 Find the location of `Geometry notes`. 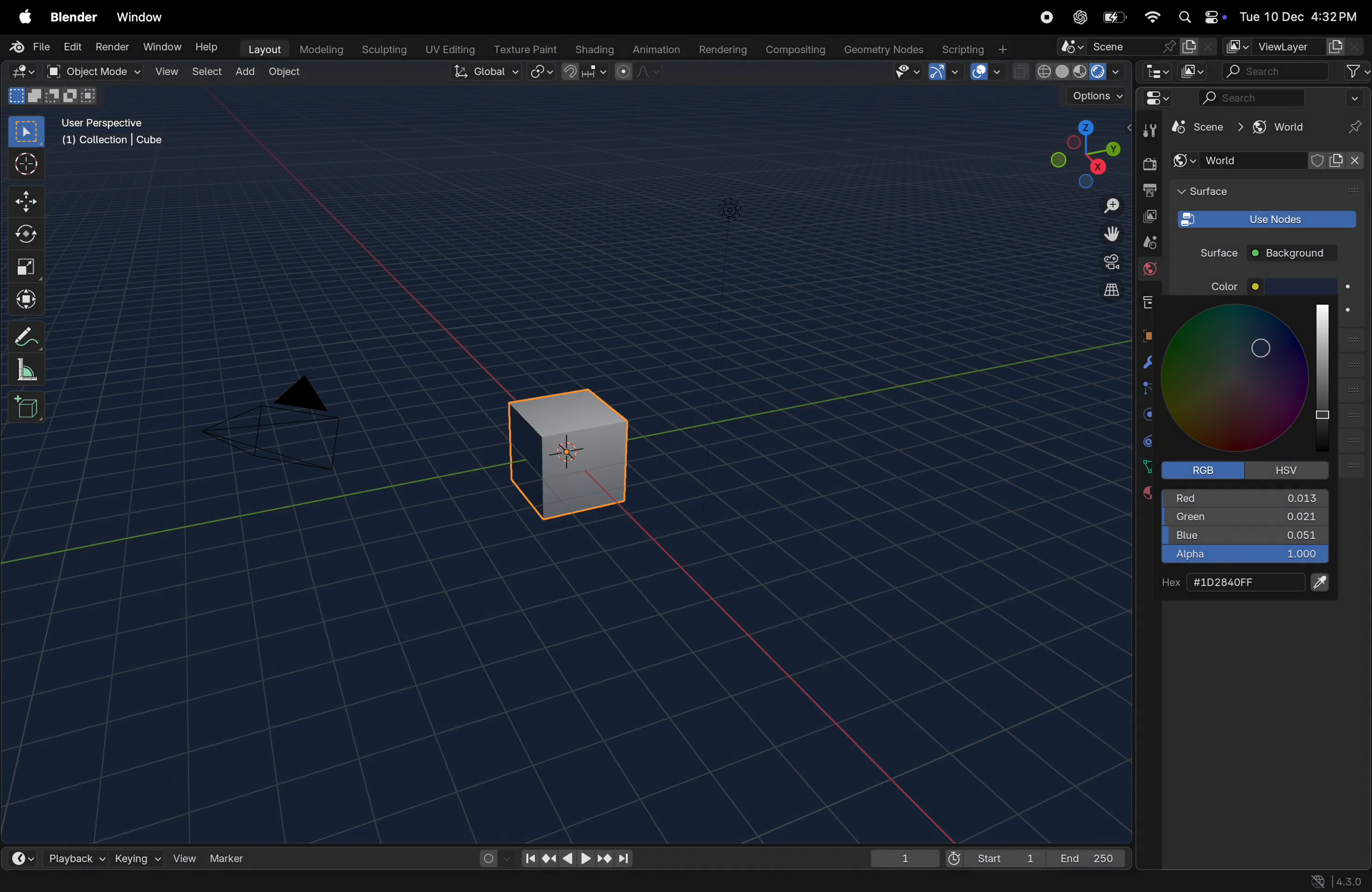

Geometry notes is located at coordinates (882, 49).